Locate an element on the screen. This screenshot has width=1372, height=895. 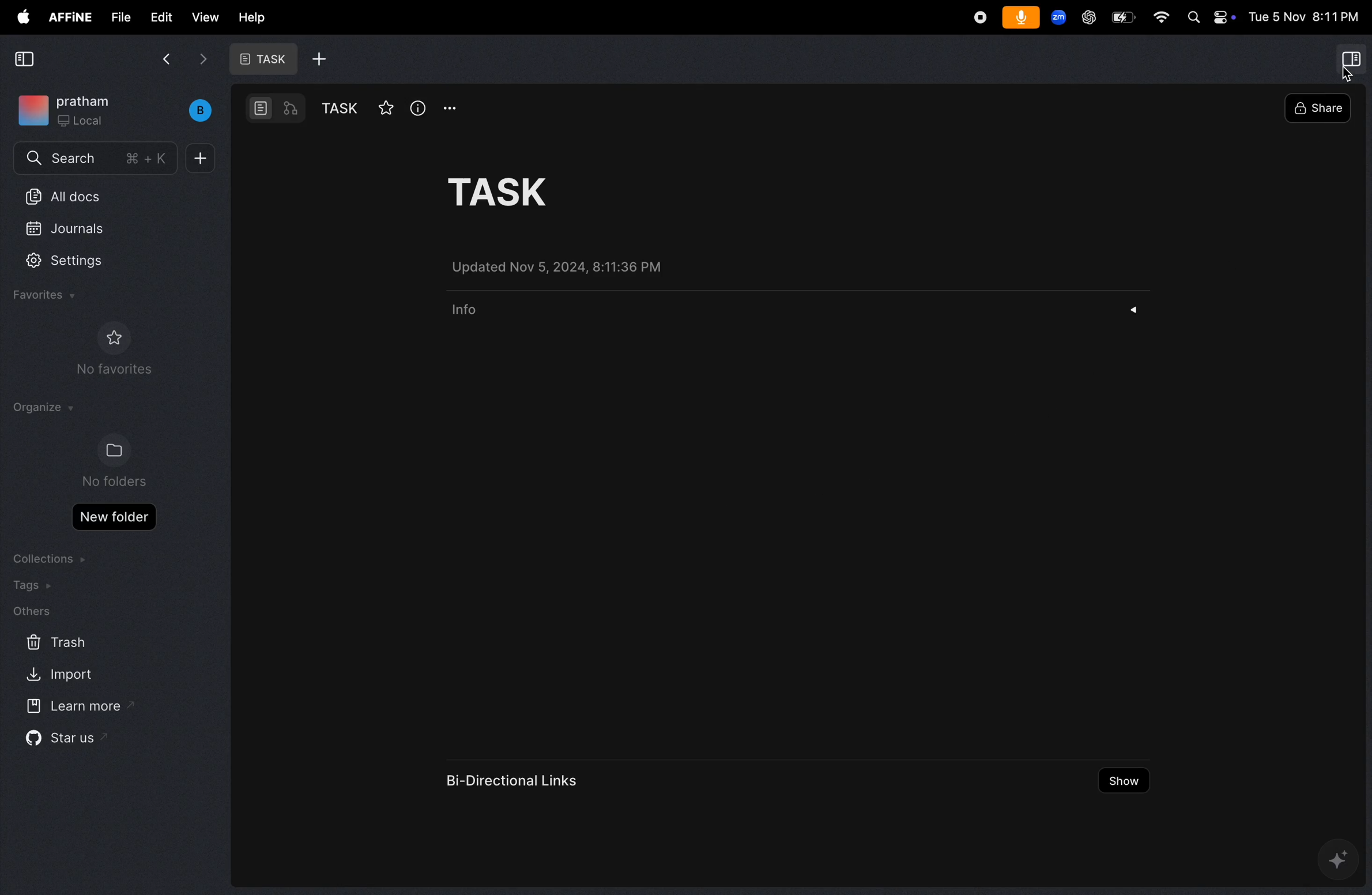
microphone is located at coordinates (1020, 18).